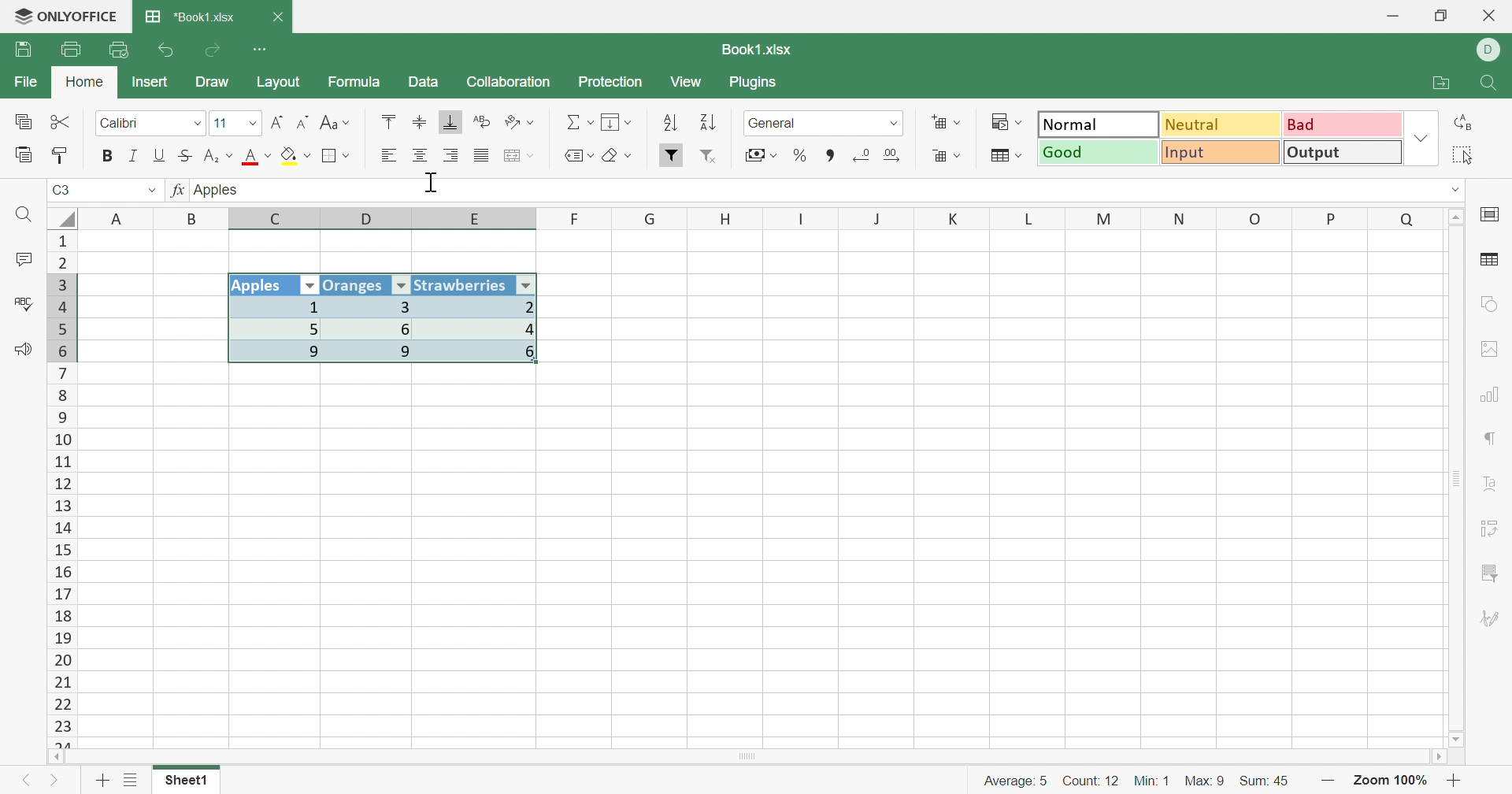  I want to click on Good, so click(1099, 153).